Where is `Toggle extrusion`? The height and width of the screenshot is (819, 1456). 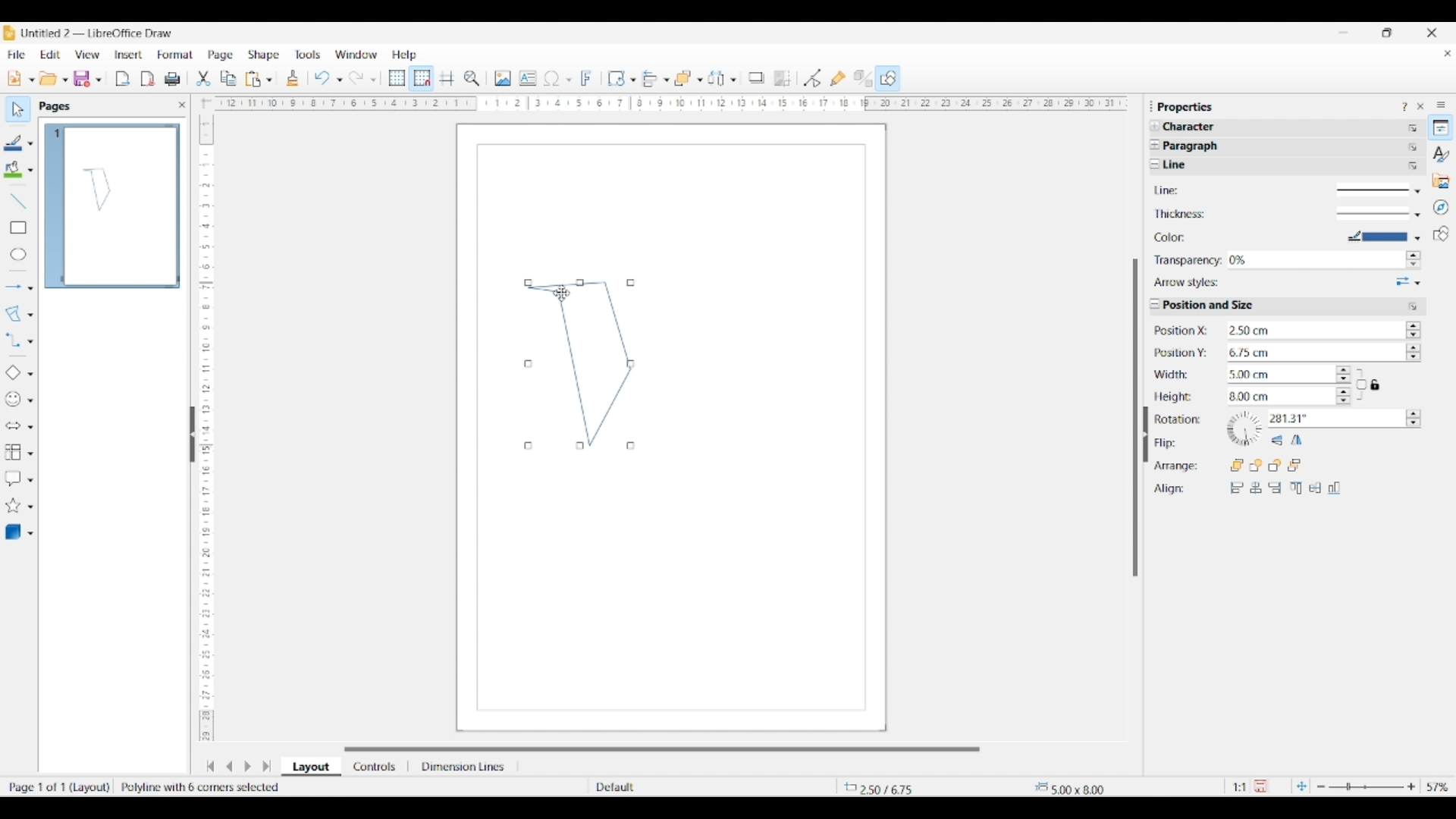
Toggle extrusion is located at coordinates (863, 79).